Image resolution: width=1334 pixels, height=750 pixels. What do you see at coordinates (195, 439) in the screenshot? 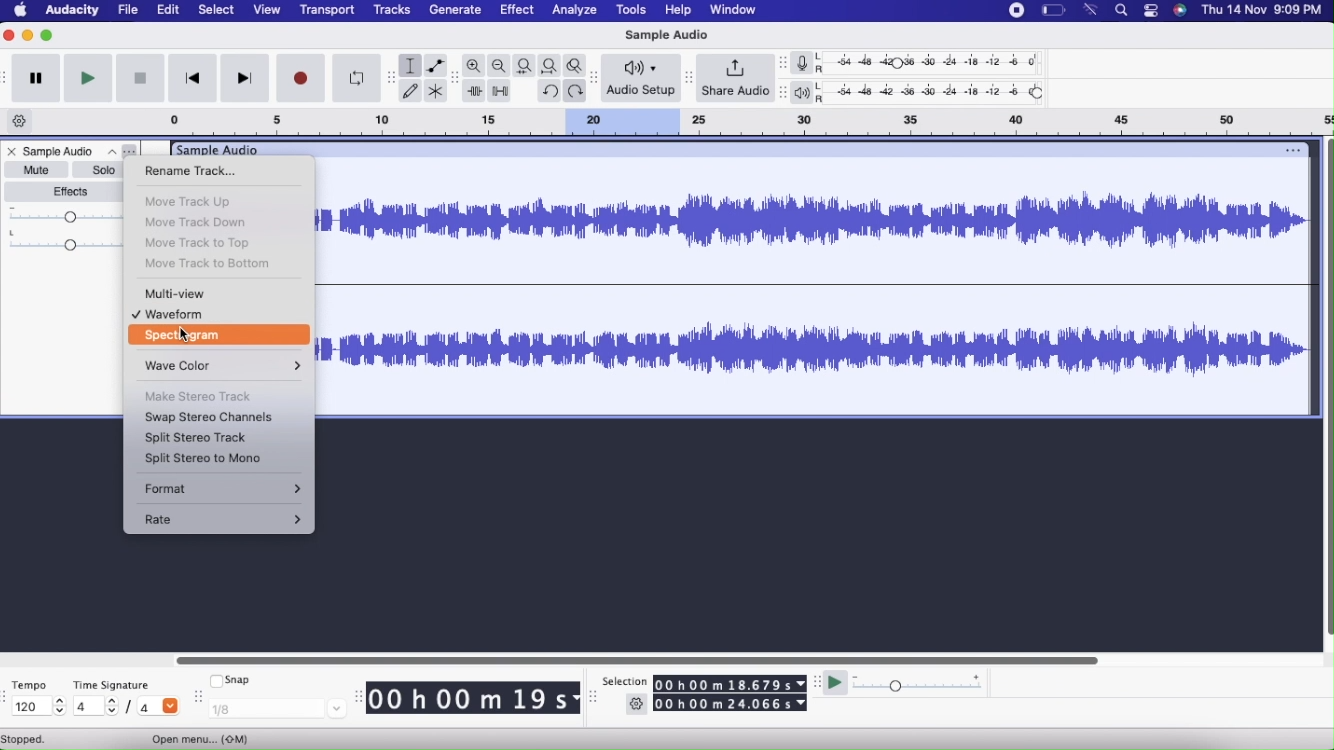
I see `Split Stereo Track` at bounding box center [195, 439].